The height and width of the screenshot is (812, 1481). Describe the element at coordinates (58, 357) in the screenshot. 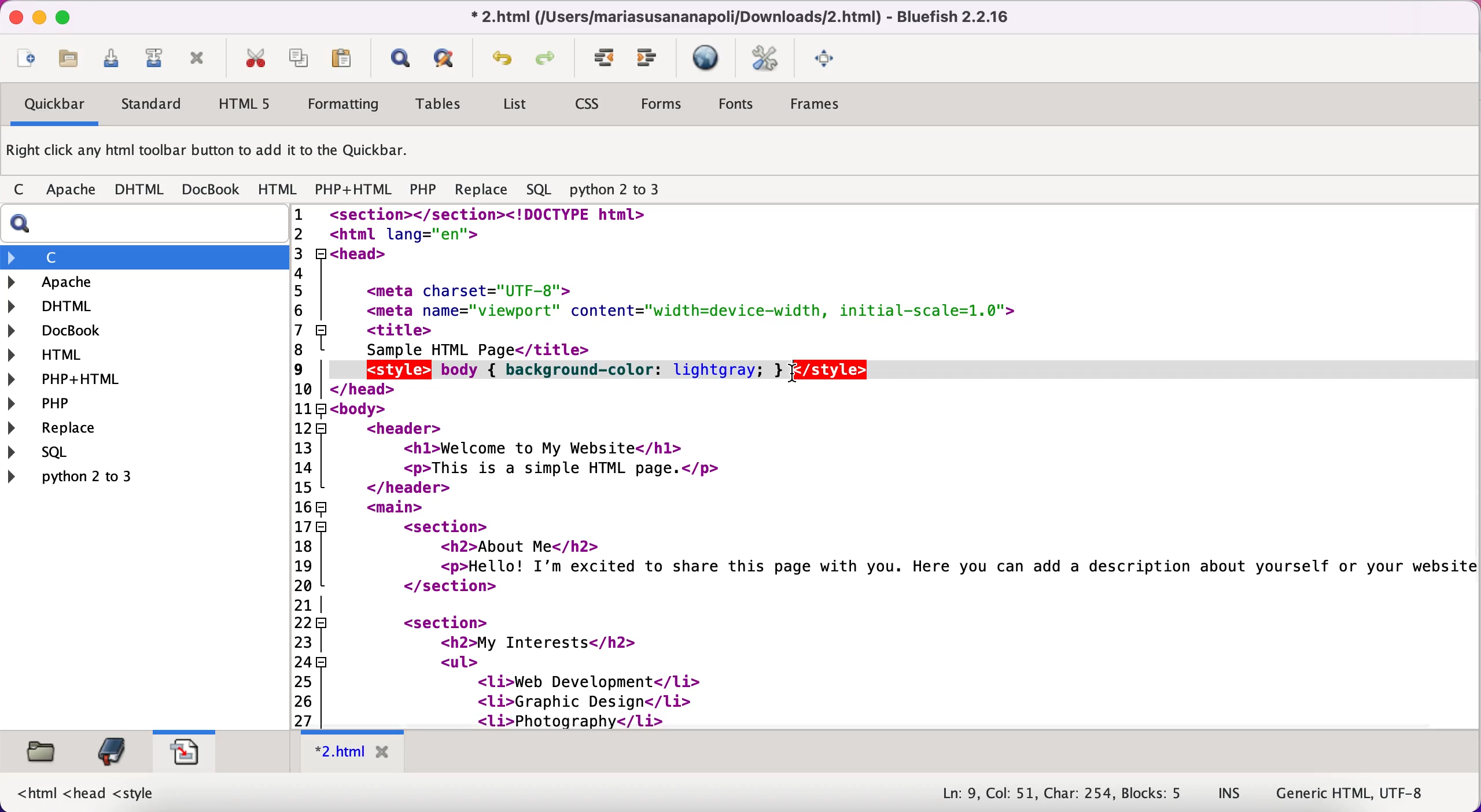

I see `html` at that location.